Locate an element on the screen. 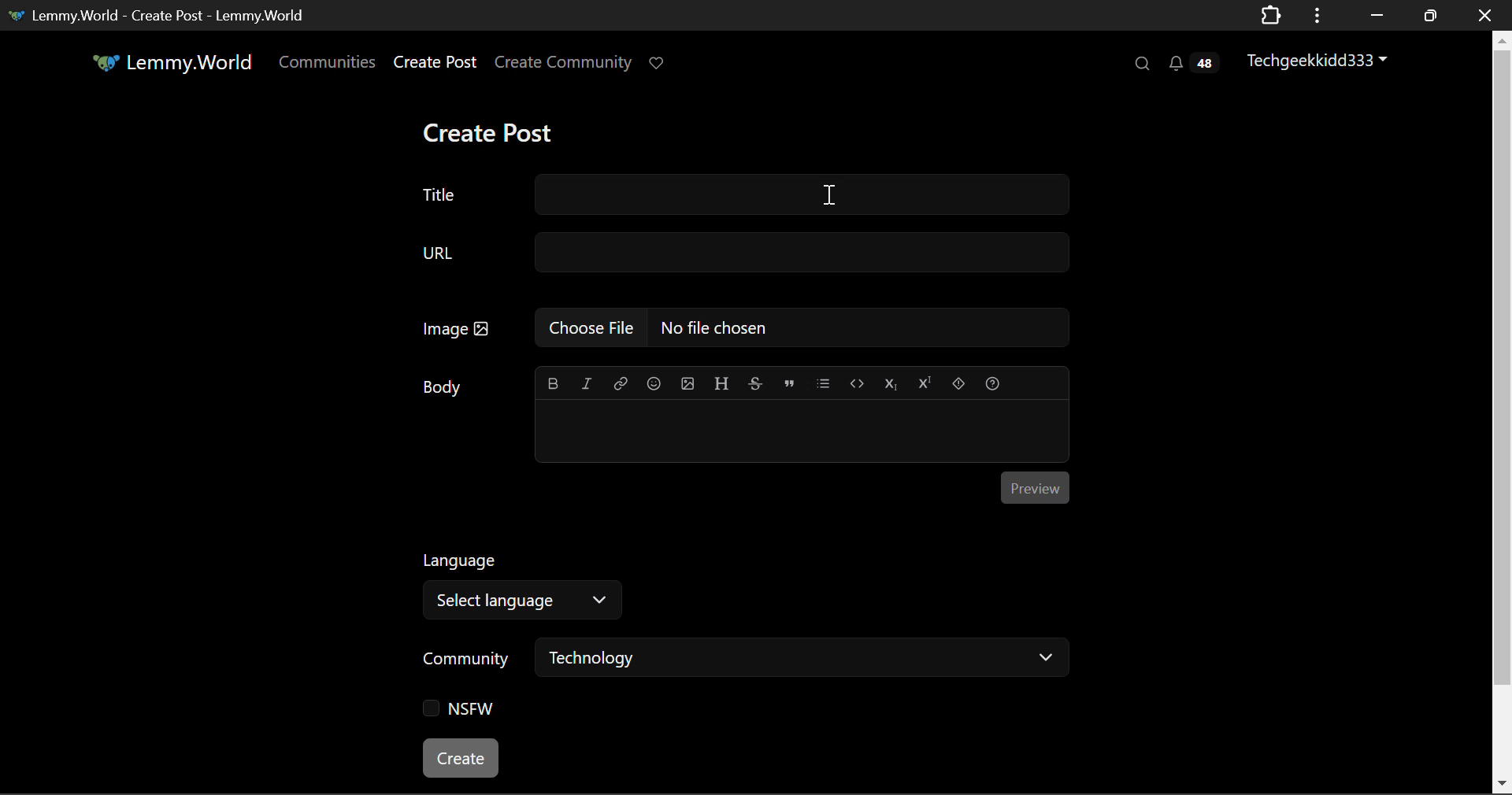 The image size is (1512, 795). bold is located at coordinates (554, 380).